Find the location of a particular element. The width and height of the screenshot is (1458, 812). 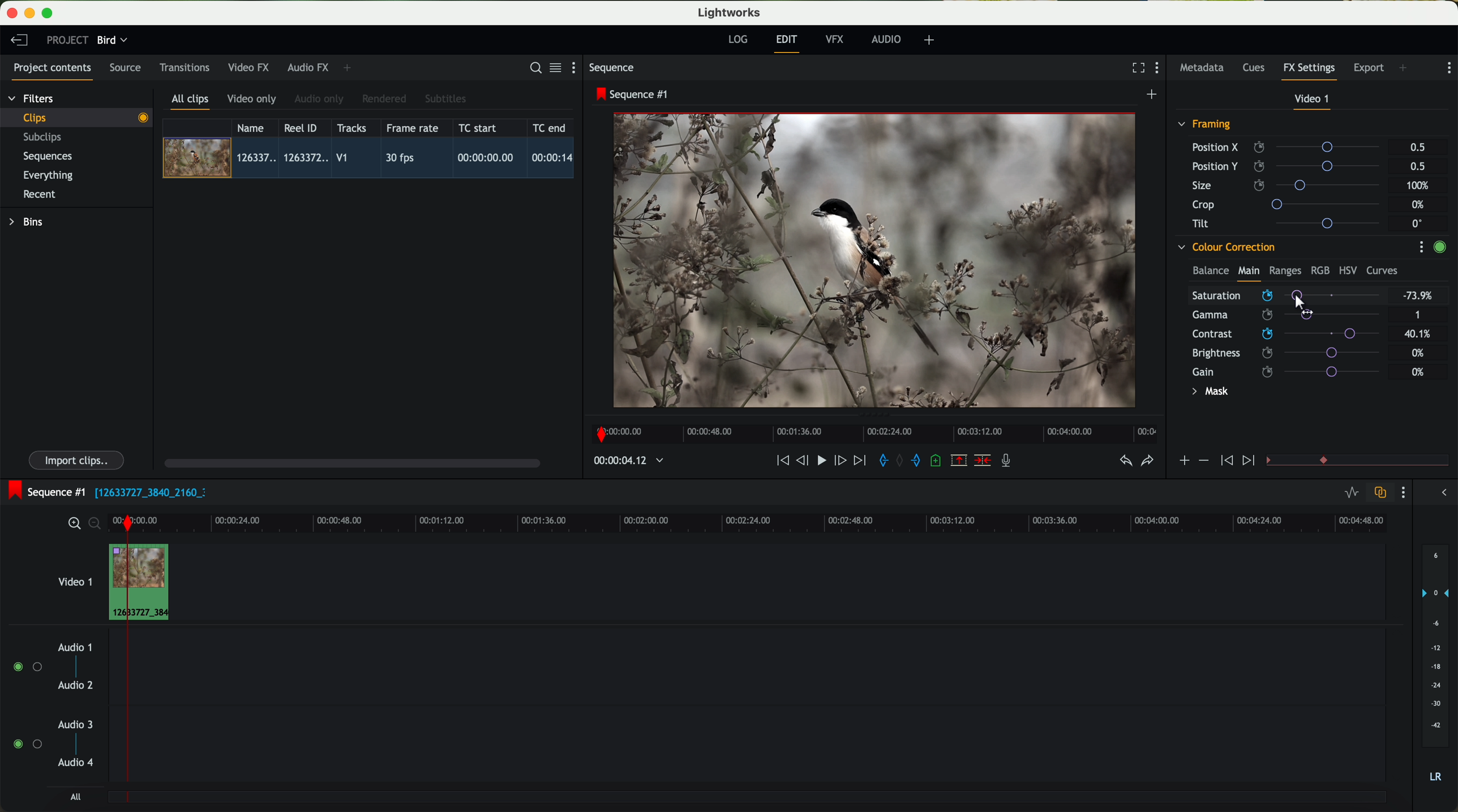

framing is located at coordinates (1205, 126).